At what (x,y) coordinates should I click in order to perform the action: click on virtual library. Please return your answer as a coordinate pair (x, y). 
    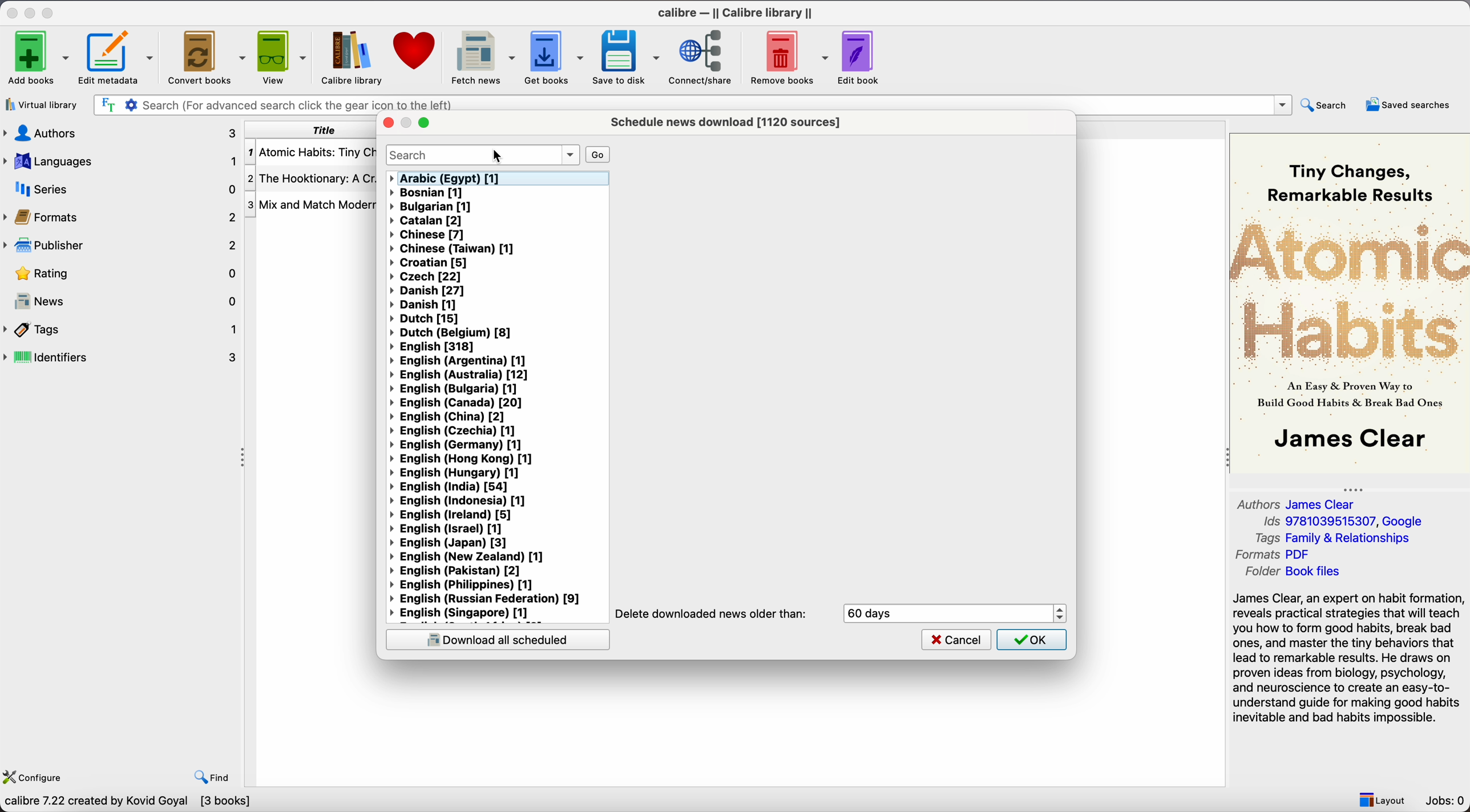
    Looking at the image, I should click on (41, 104).